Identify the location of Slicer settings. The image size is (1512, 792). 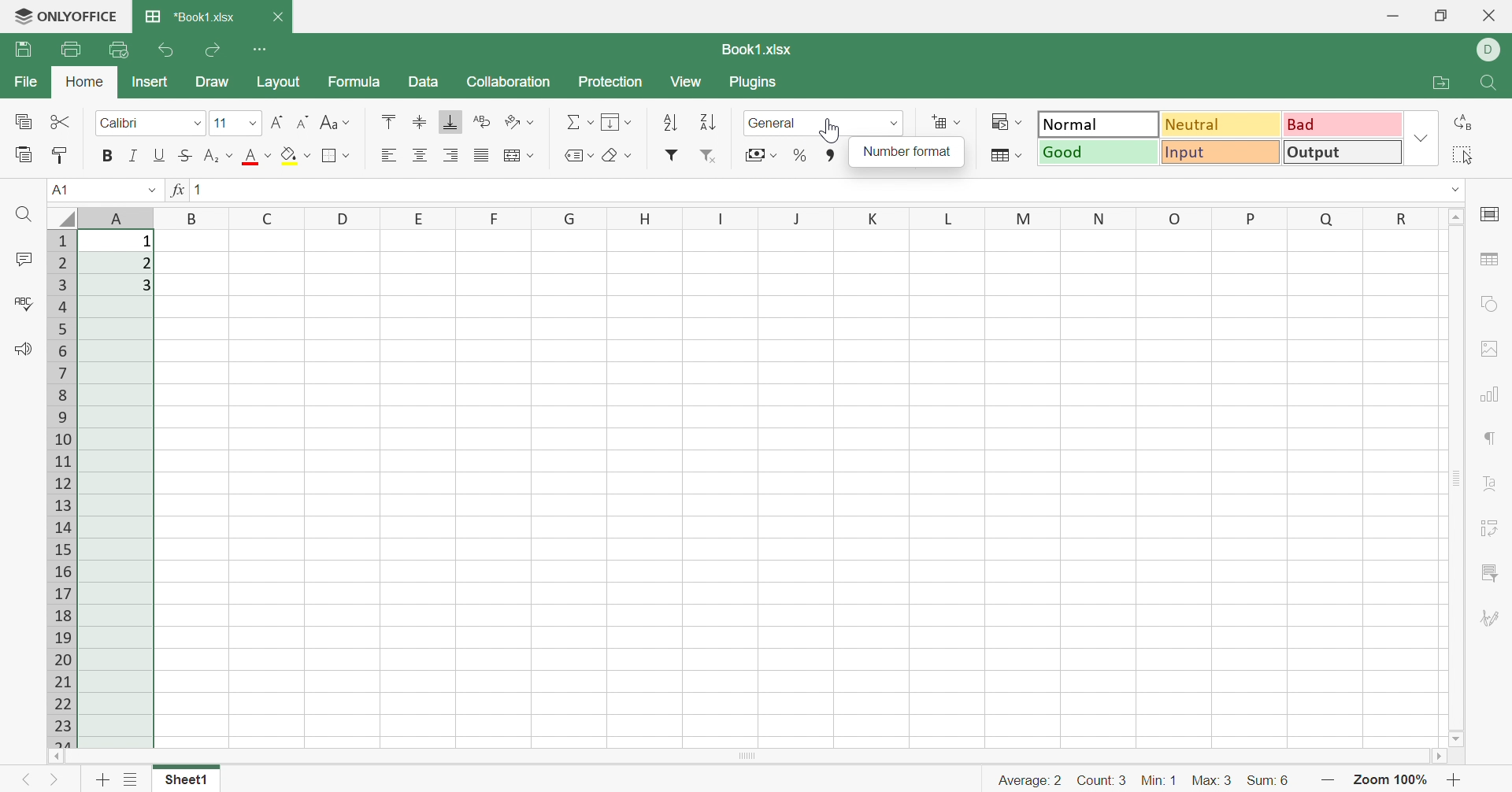
(1493, 572).